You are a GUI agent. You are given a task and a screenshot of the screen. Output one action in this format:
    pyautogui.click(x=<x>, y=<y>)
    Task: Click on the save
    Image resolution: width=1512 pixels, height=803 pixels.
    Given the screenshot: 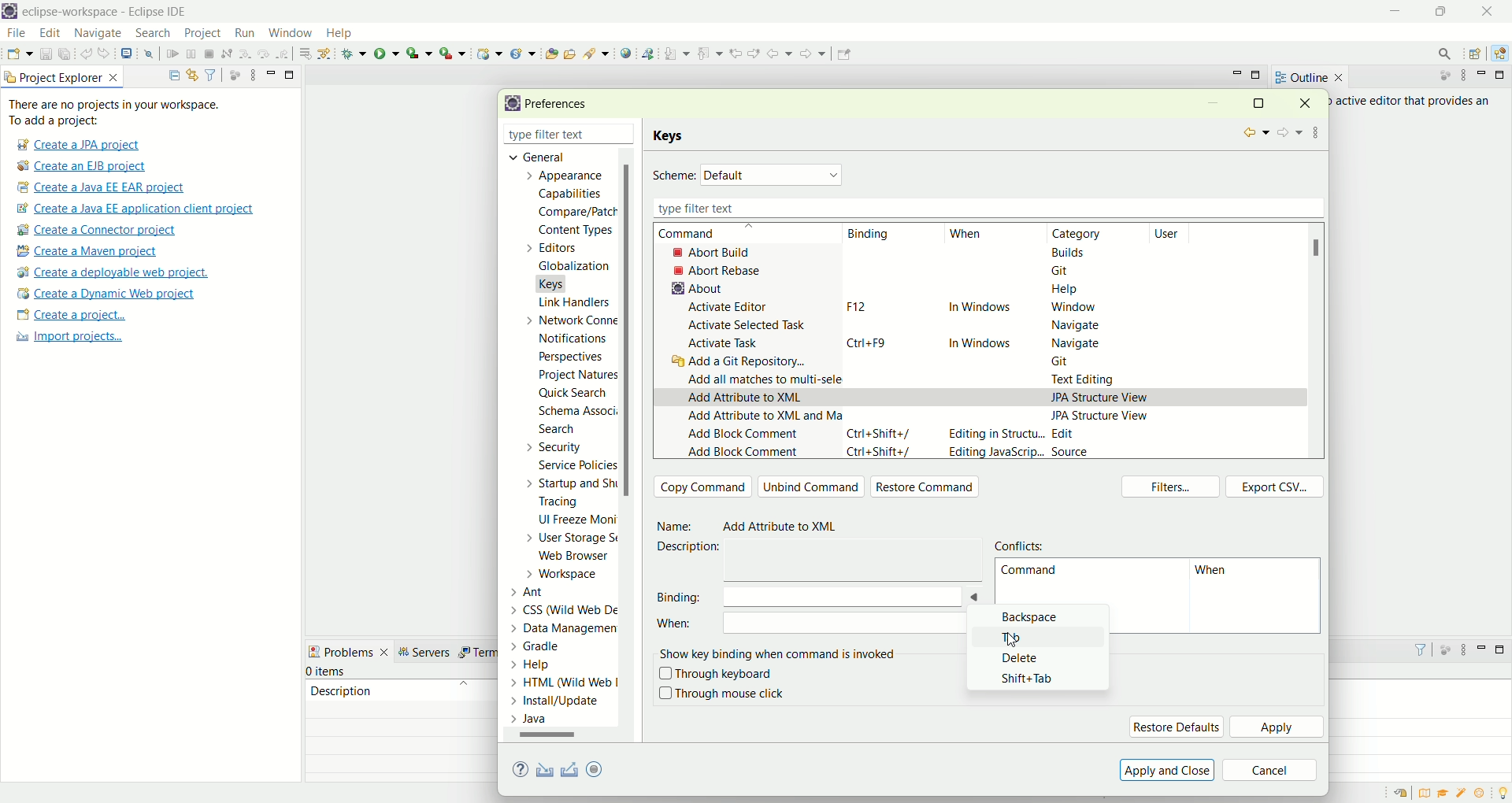 What is the action you would take?
    pyautogui.click(x=47, y=54)
    